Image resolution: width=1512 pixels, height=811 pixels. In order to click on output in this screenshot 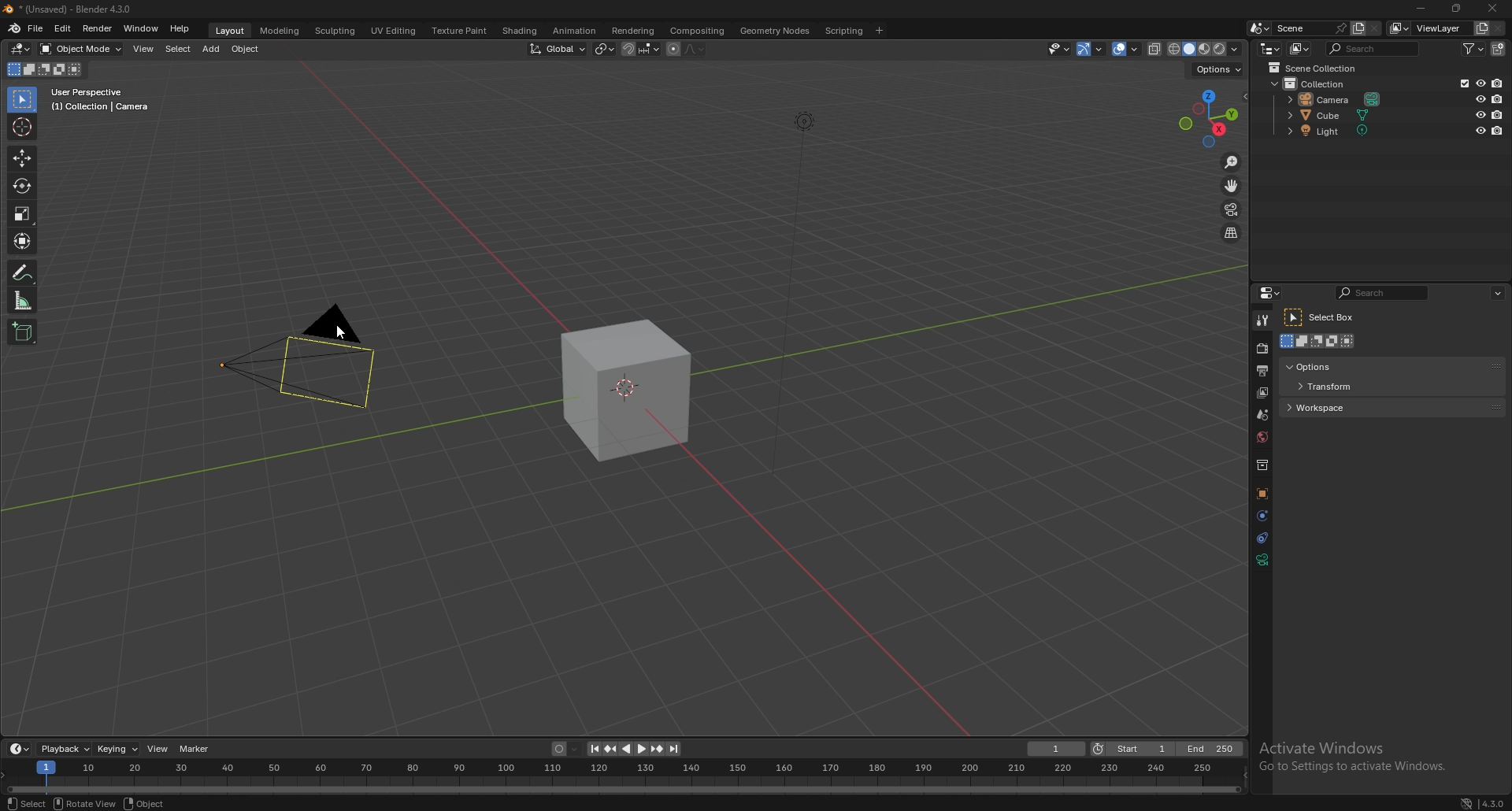, I will do `click(1263, 370)`.